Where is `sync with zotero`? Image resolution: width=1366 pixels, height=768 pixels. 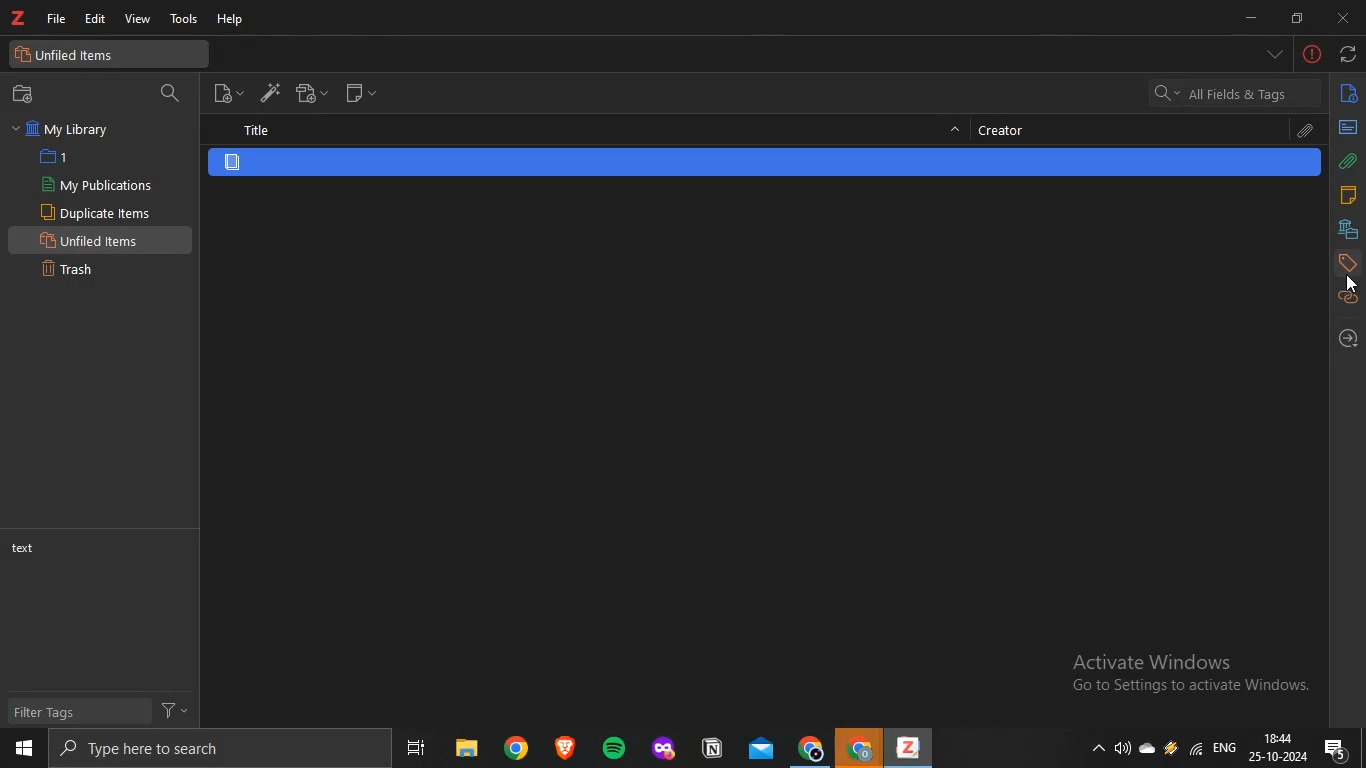
sync with zotero is located at coordinates (1348, 55).